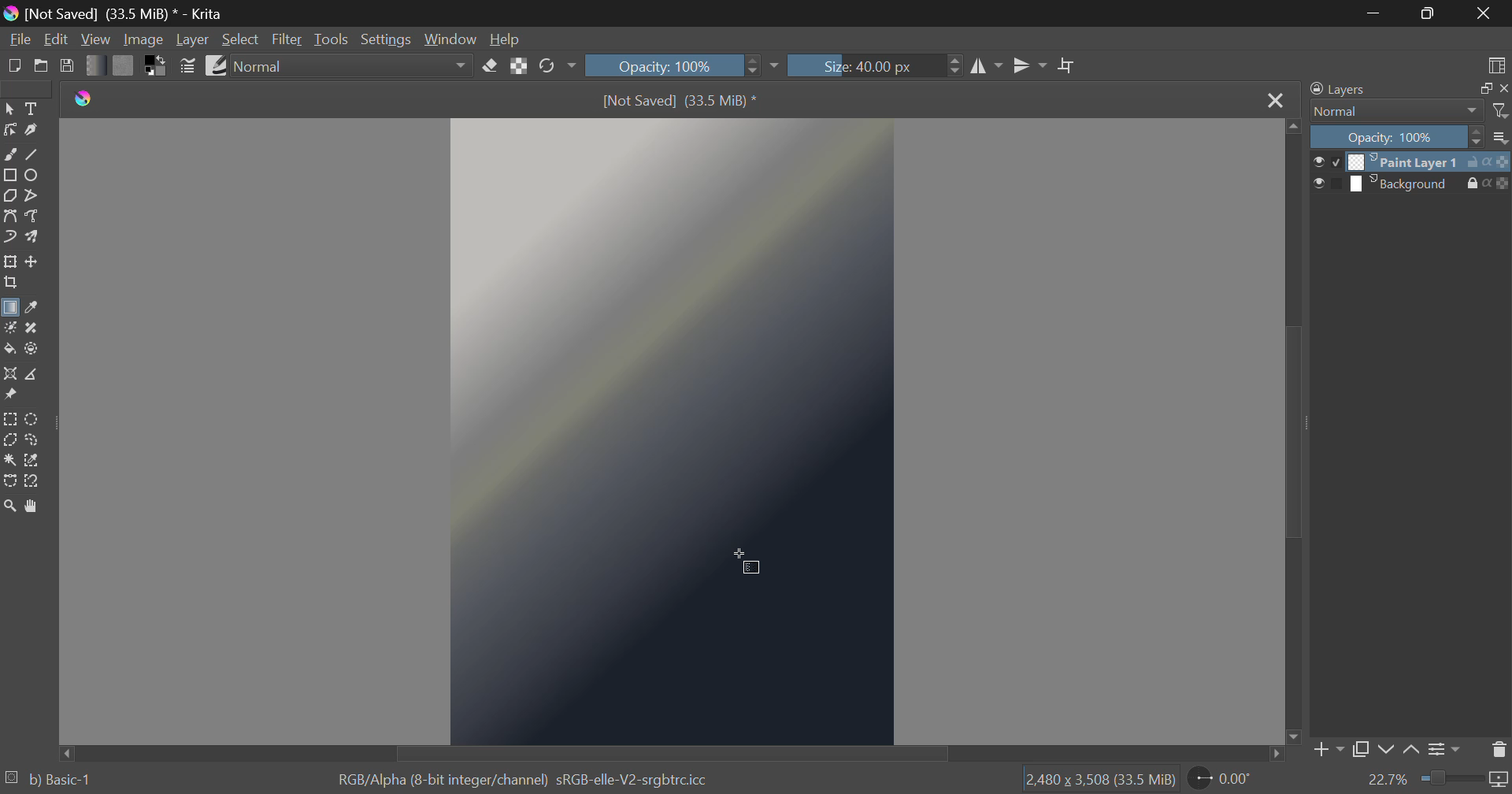 The width and height of the screenshot is (1512, 794). Describe the element at coordinates (1442, 749) in the screenshot. I see `Layer Settings` at that location.